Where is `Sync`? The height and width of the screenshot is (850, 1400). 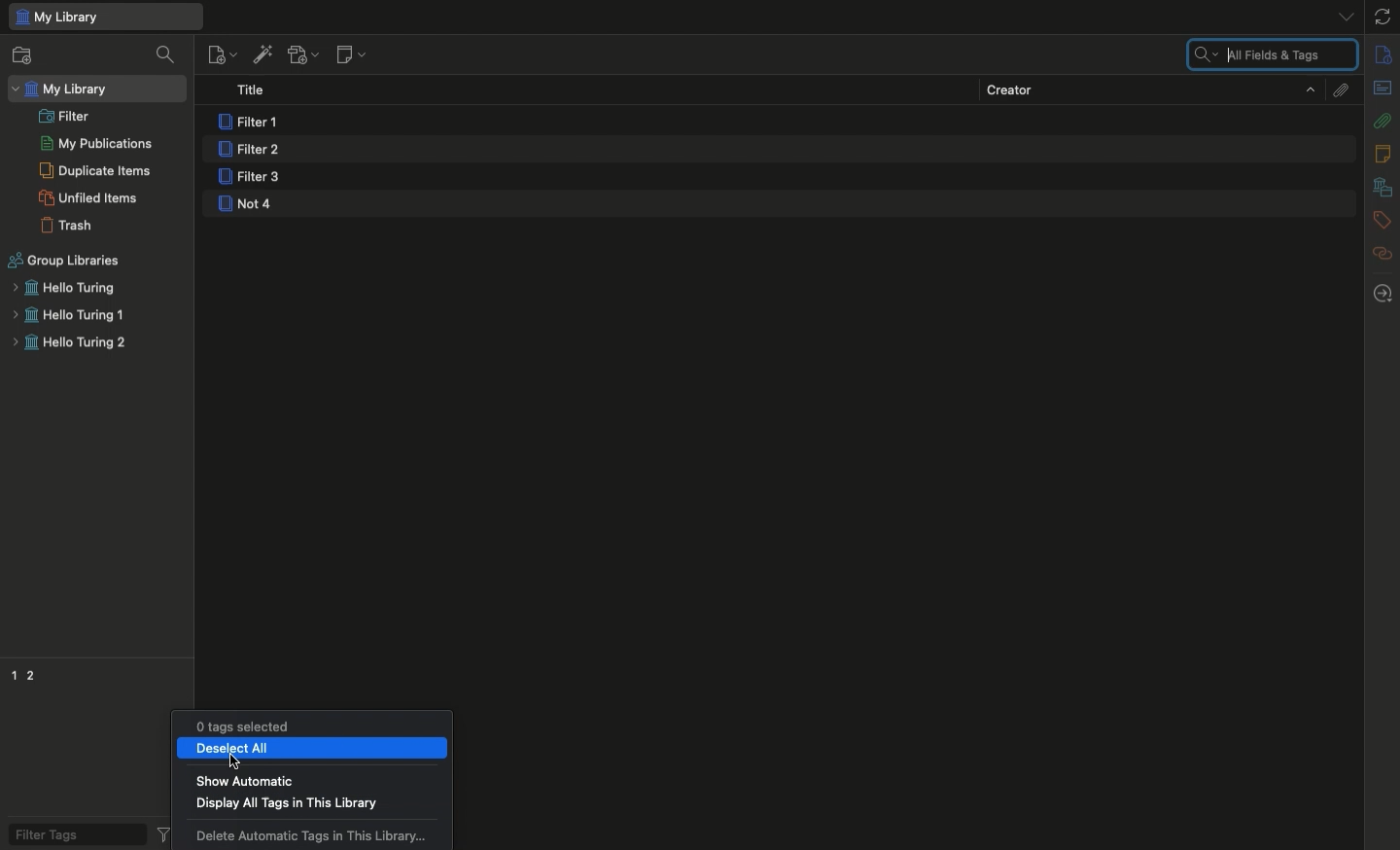
Sync is located at coordinates (1383, 17).